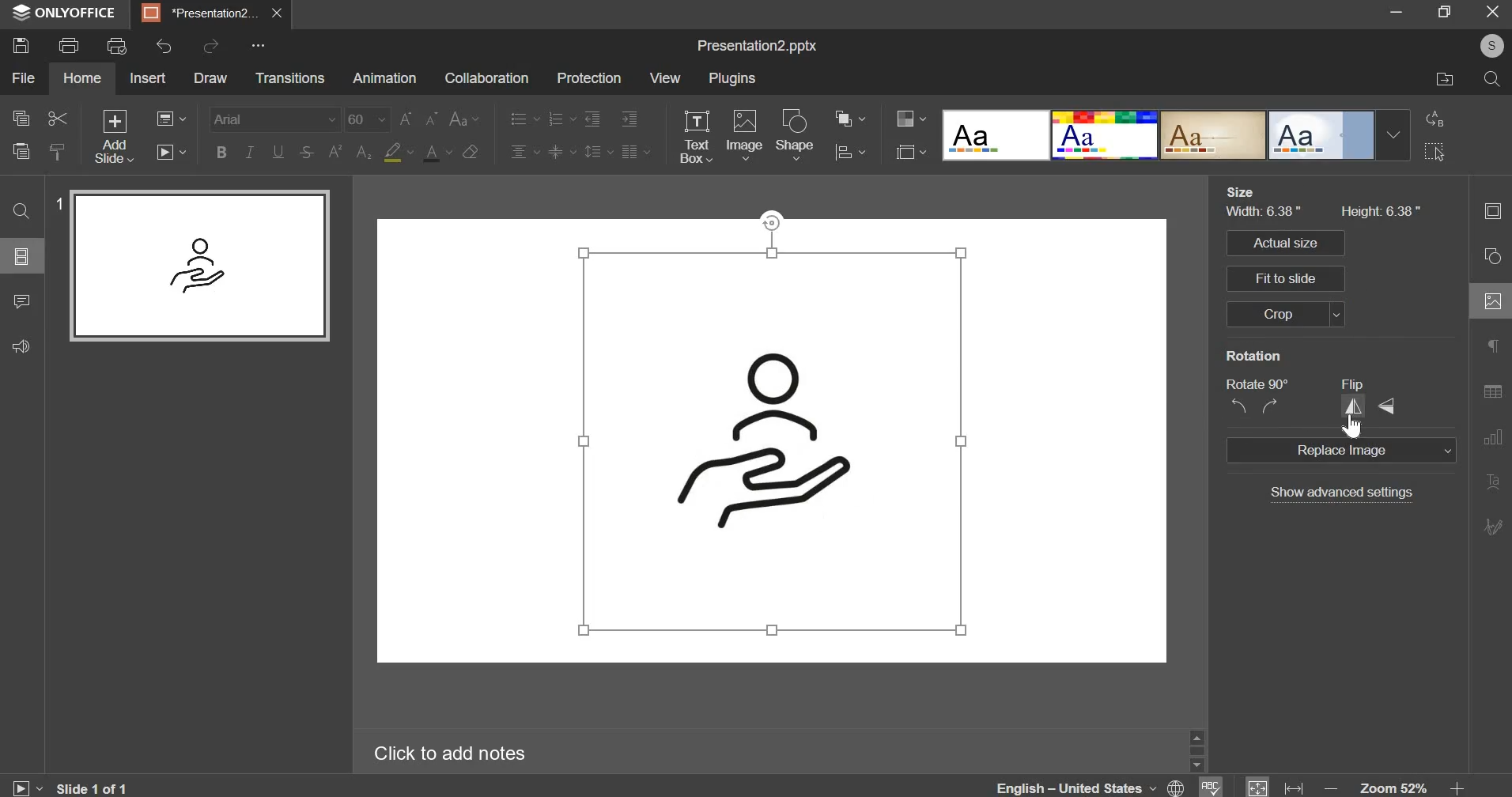  Describe the element at coordinates (391, 119) in the screenshot. I see `font size chane` at that location.